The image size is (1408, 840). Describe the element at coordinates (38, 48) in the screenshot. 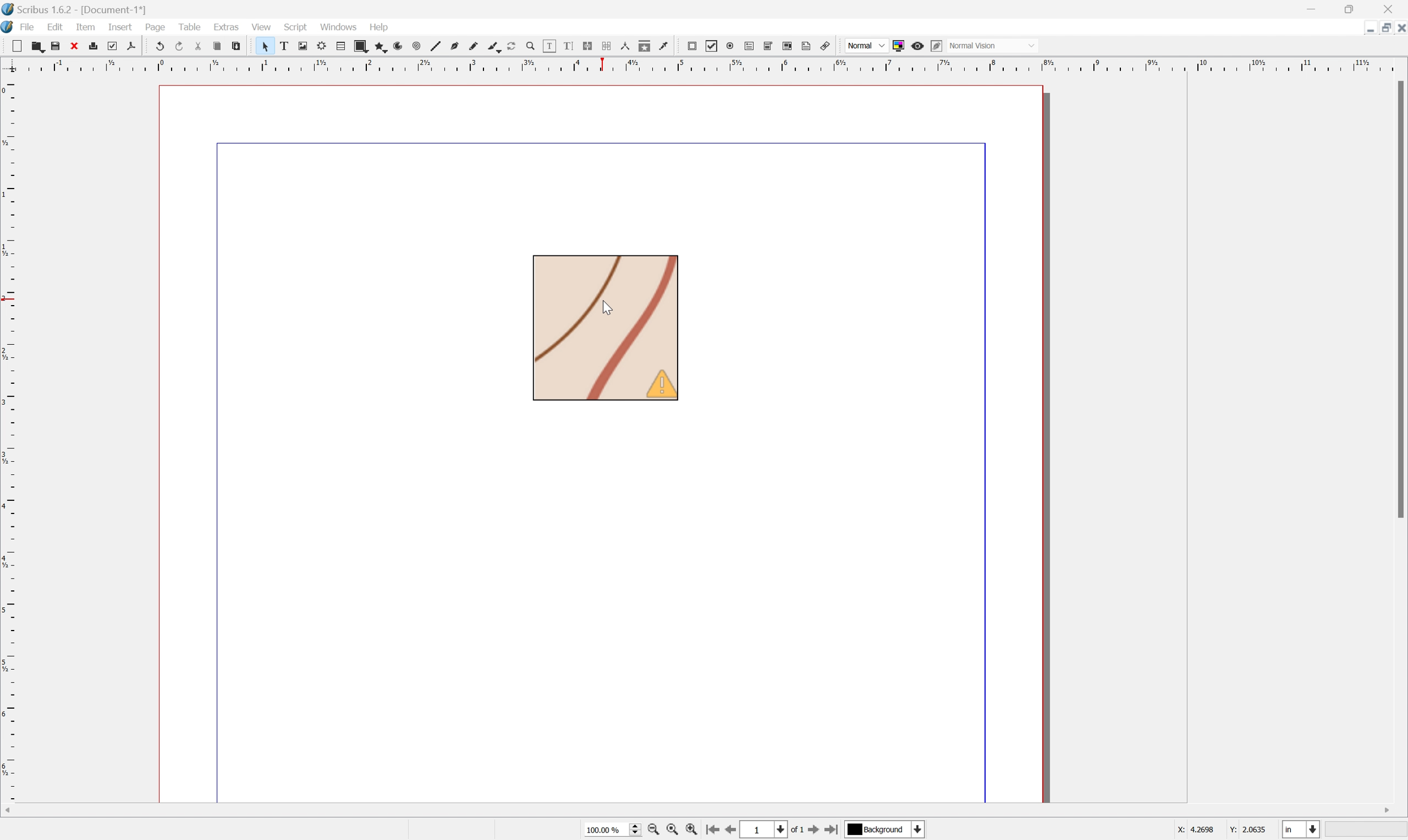

I see `New` at that location.